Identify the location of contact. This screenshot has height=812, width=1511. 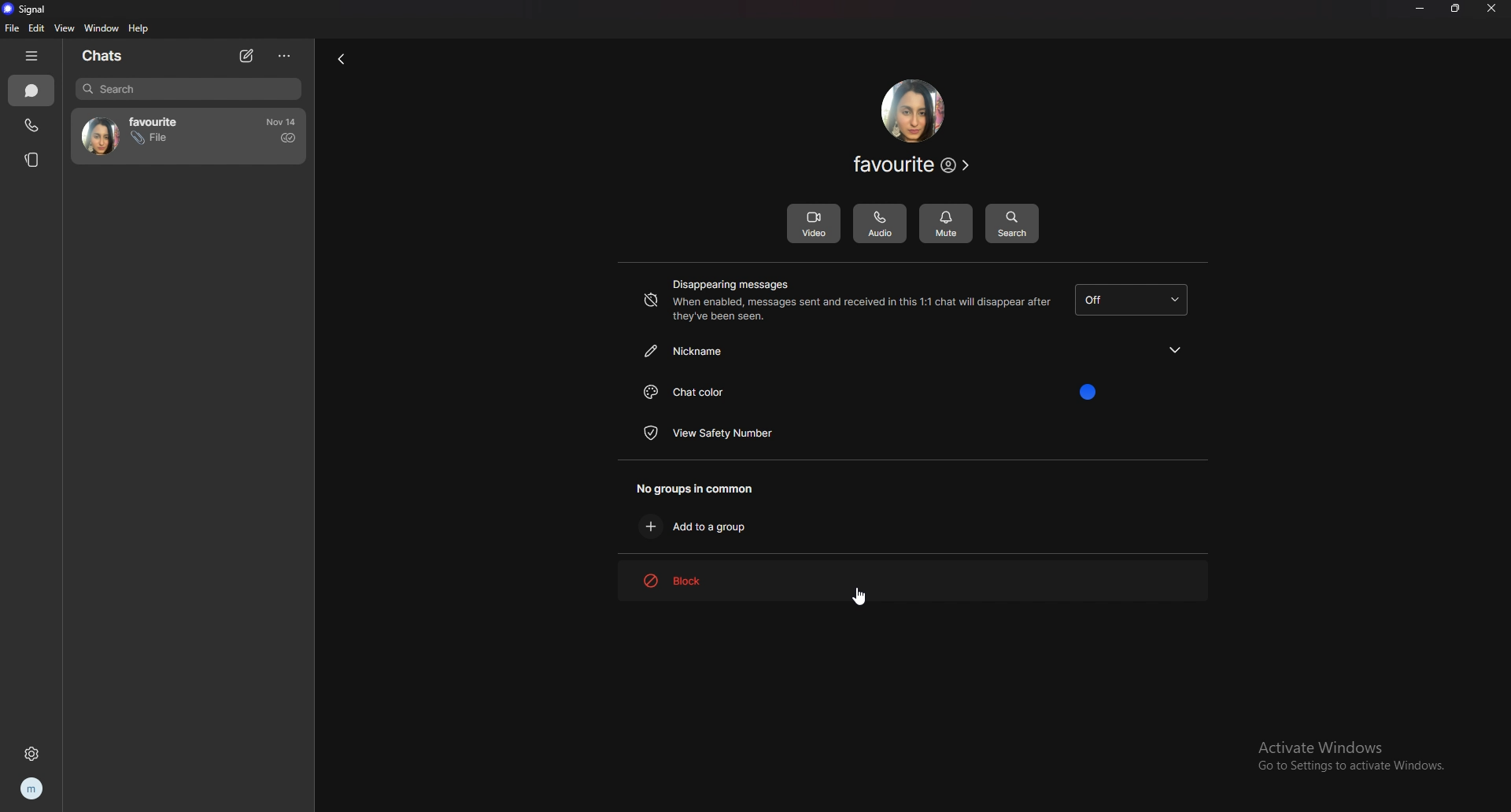
(136, 134).